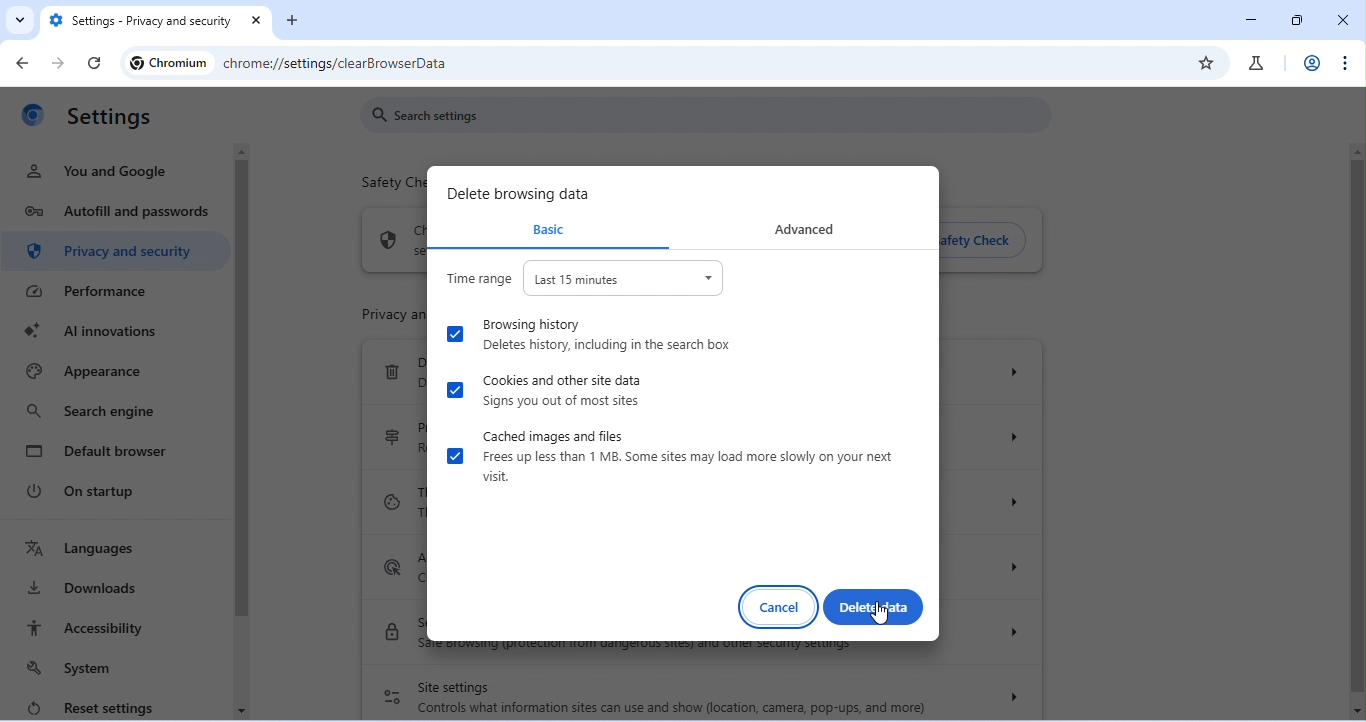 This screenshot has width=1366, height=722. I want to click on chrome labs, so click(1255, 63).